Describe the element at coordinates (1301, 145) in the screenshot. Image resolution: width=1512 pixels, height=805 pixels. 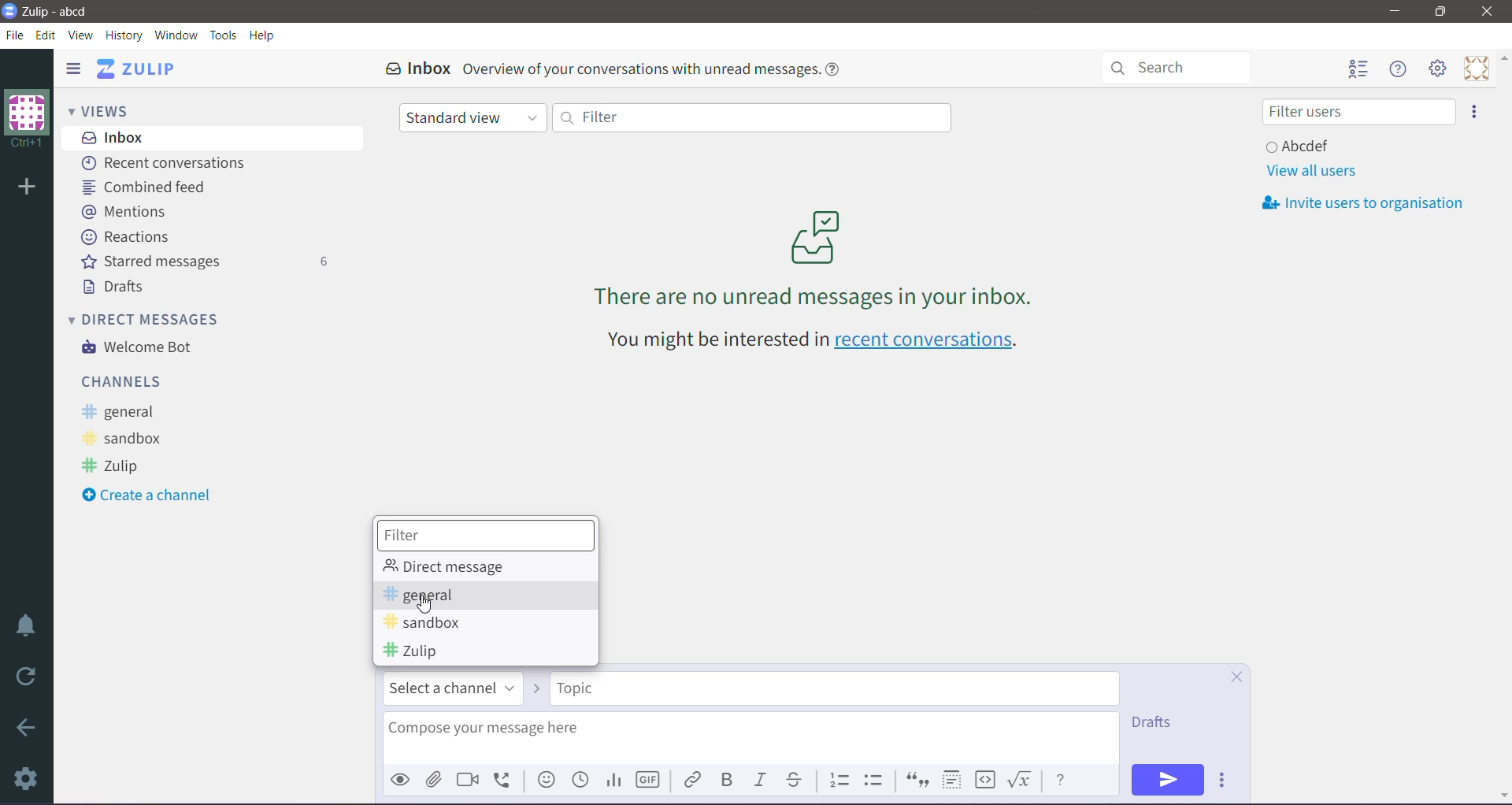
I see `User and Status` at that location.